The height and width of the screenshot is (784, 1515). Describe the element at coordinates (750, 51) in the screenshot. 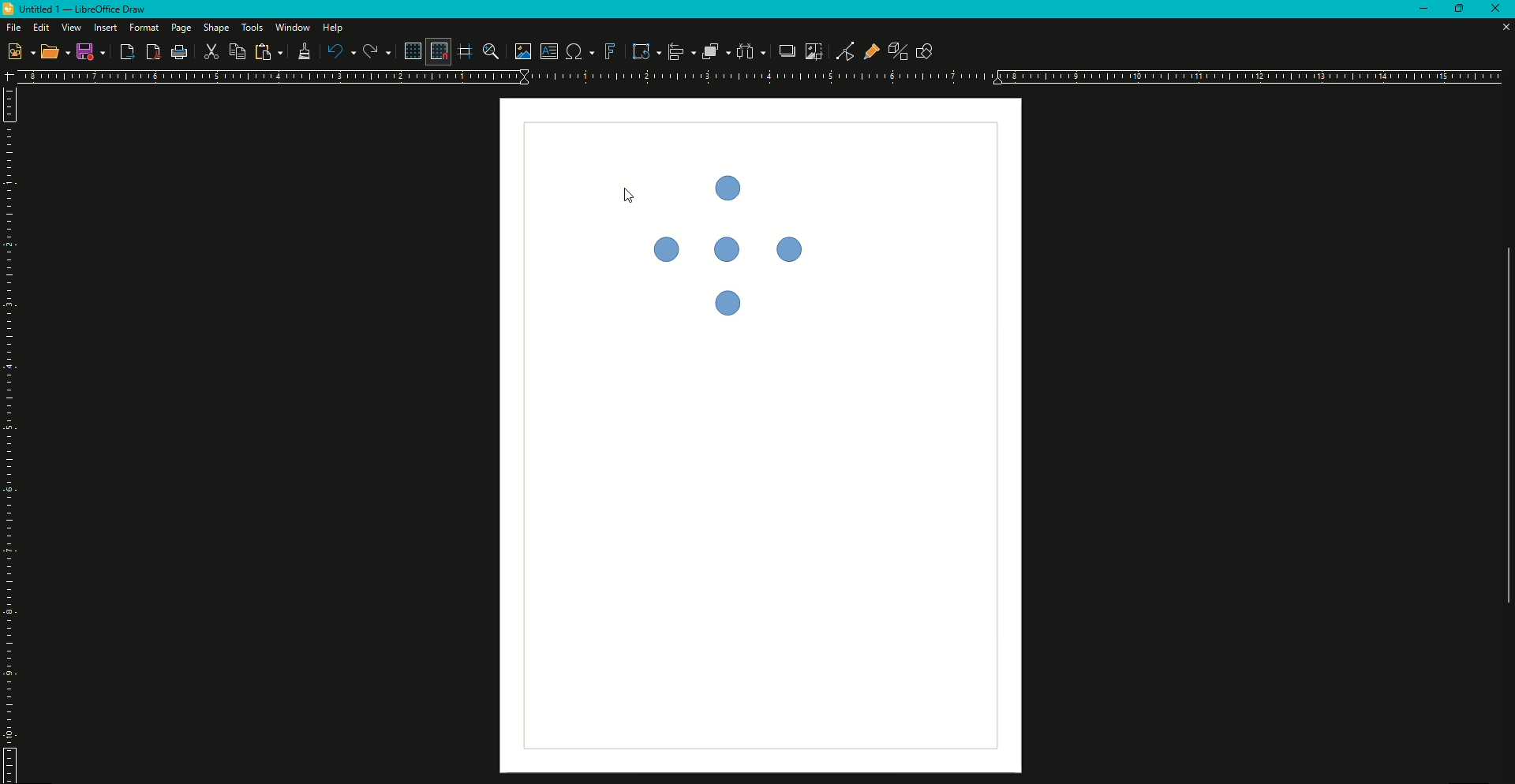

I see `Select three` at that location.